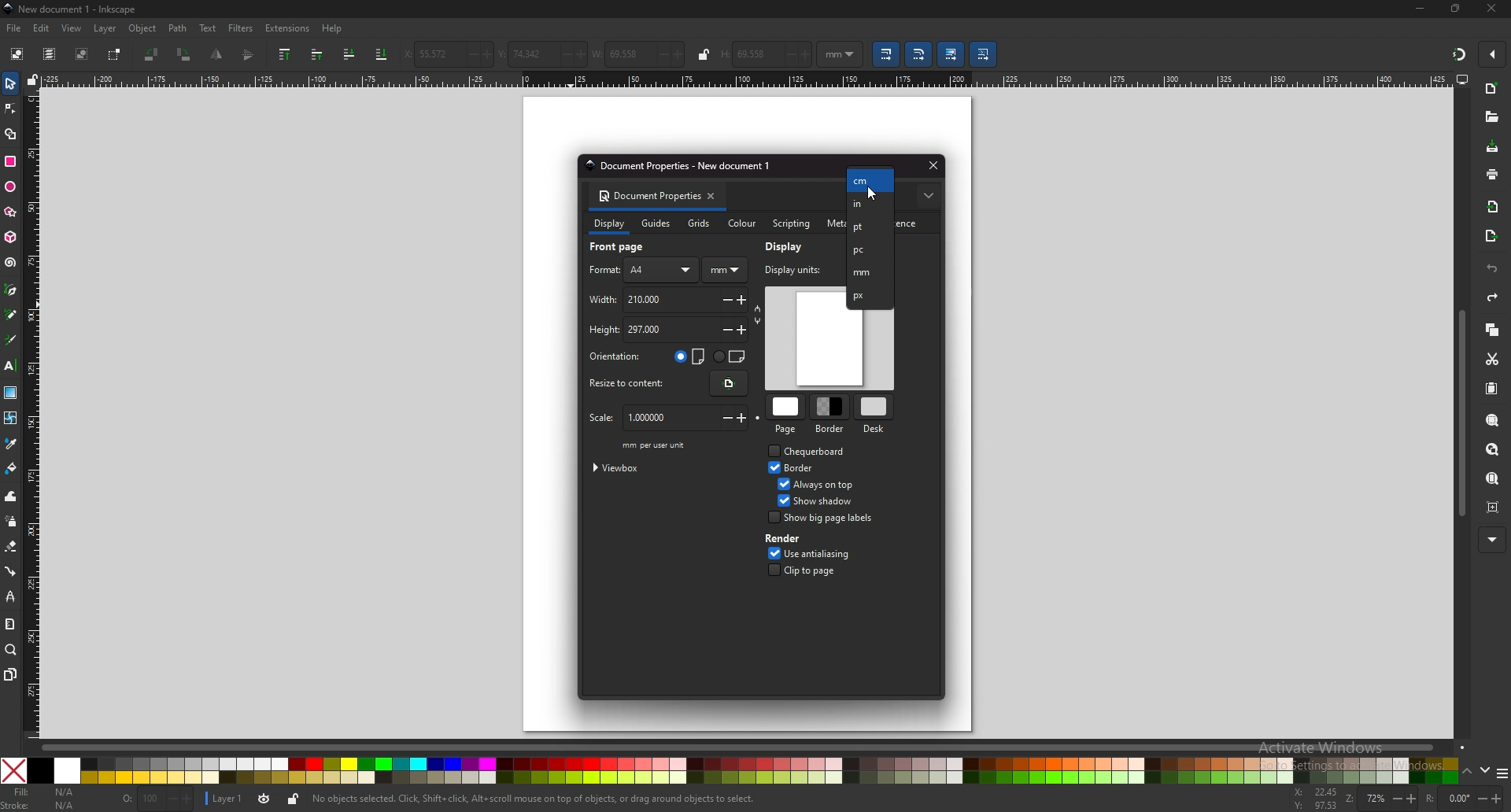 This screenshot has width=1511, height=812. What do you see at coordinates (747, 79) in the screenshot?
I see `horizontal ruler` at bounding box center [747, 79].